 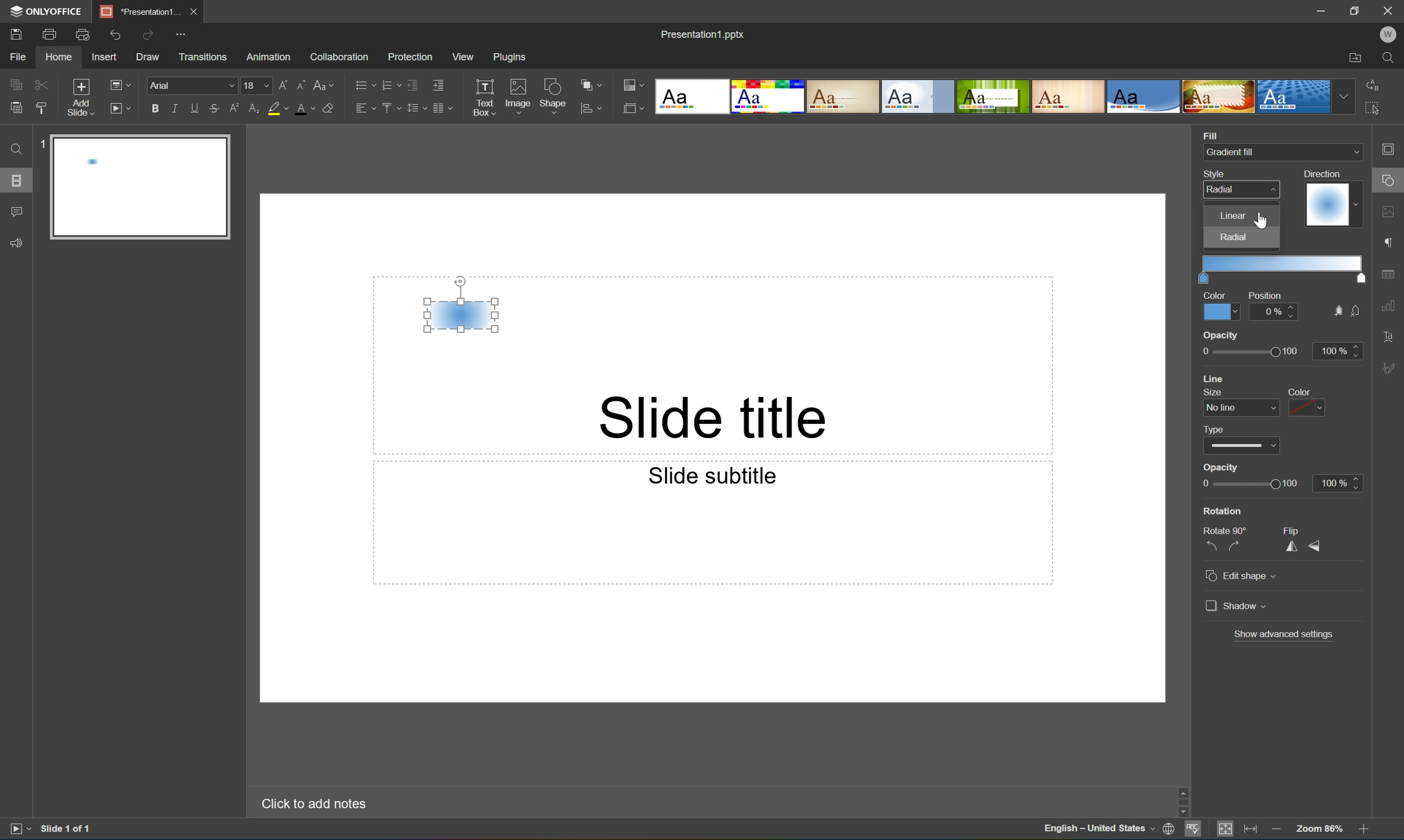 I want to click on Home, so click(x=58, y=58).